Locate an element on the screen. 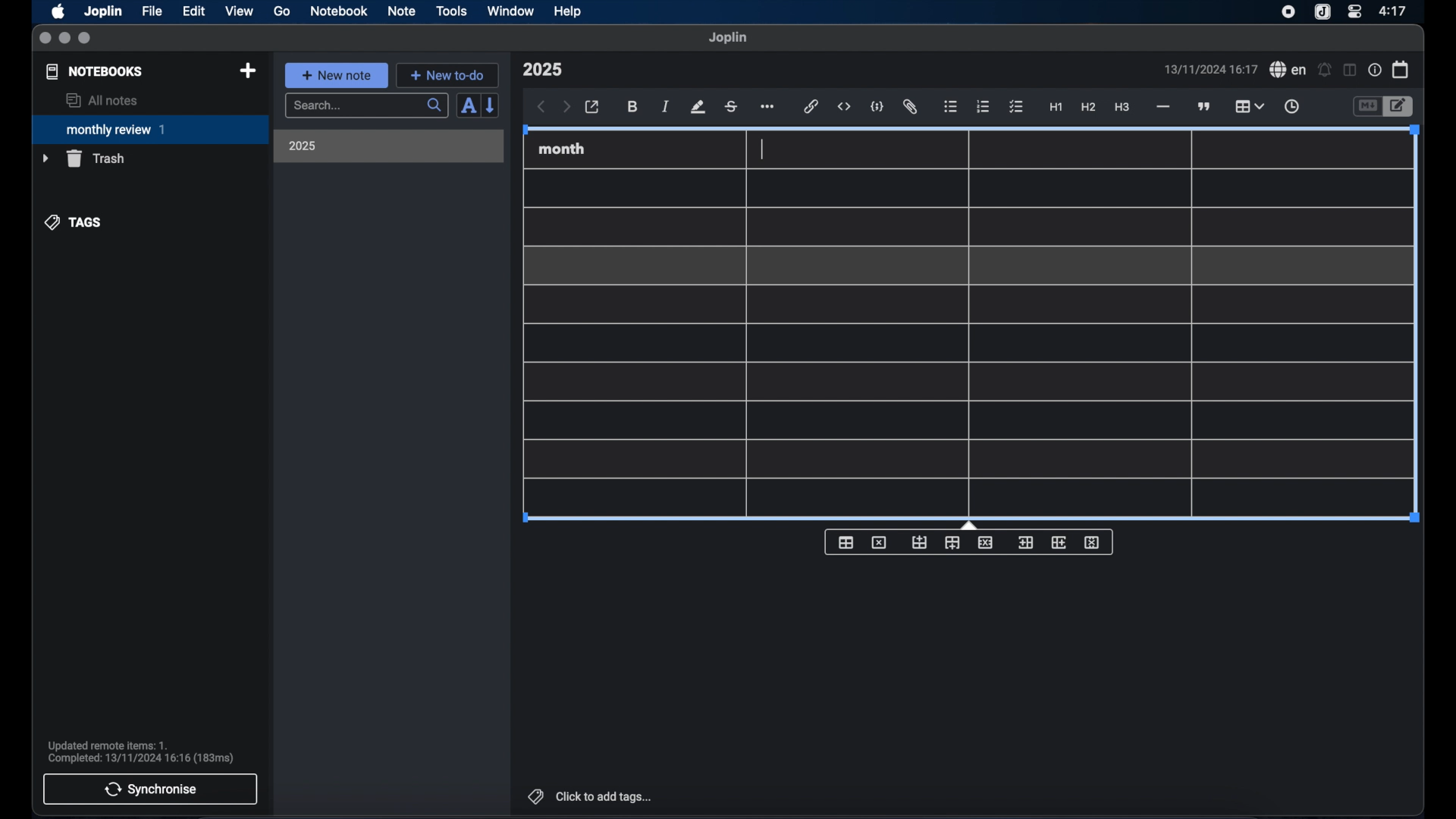 This screenshot has height=819, width=1456. note properties is located at coordinates (1375, 71).